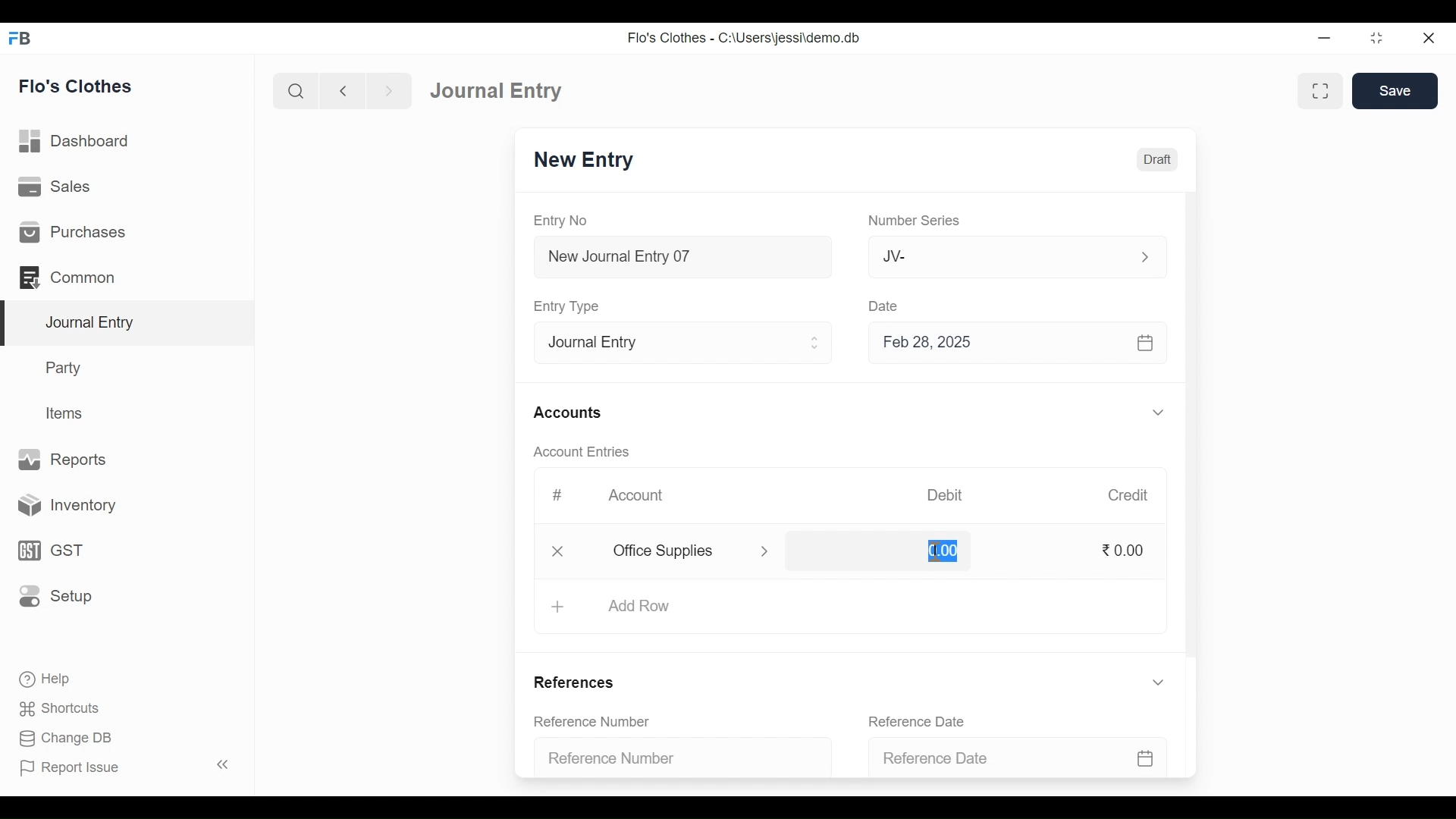  Describe the element at coordinates (342, 91) in the screenshot. I see `Navigate Back` at that location.